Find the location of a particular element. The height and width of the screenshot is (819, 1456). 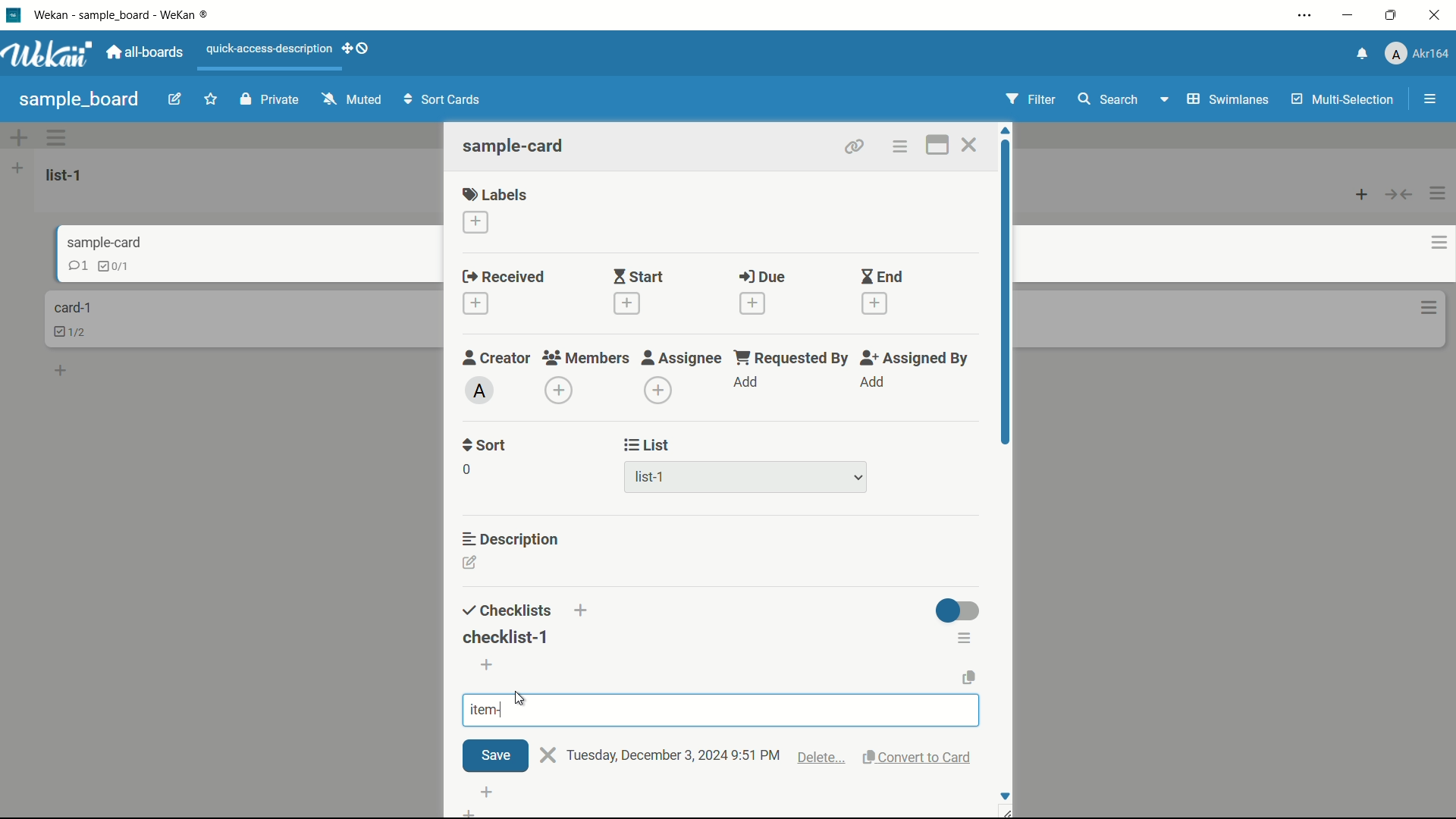

creator is located at coordinates (497, 358).